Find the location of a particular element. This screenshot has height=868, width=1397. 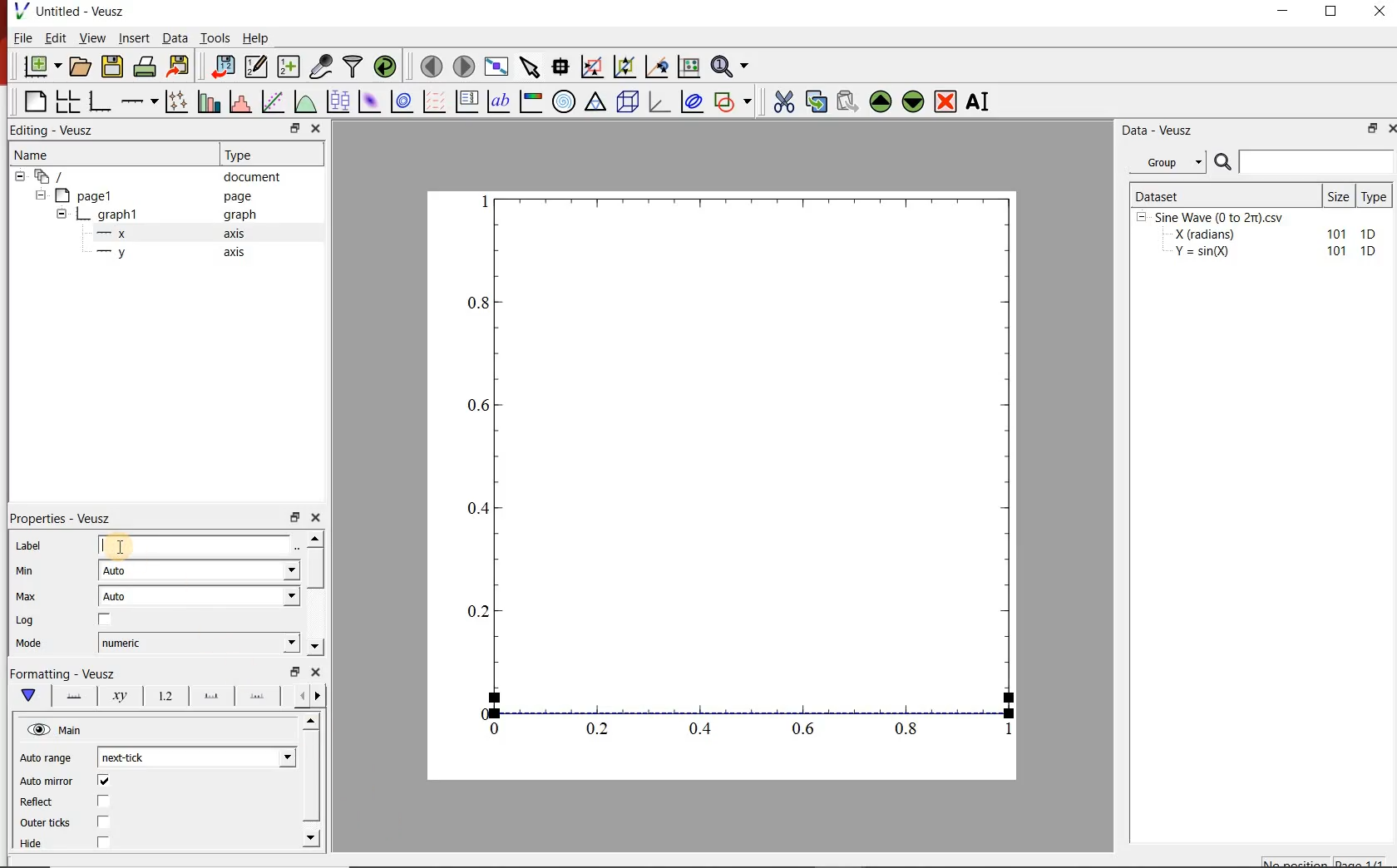

view plot full screen is located at coordinates (496, 66).